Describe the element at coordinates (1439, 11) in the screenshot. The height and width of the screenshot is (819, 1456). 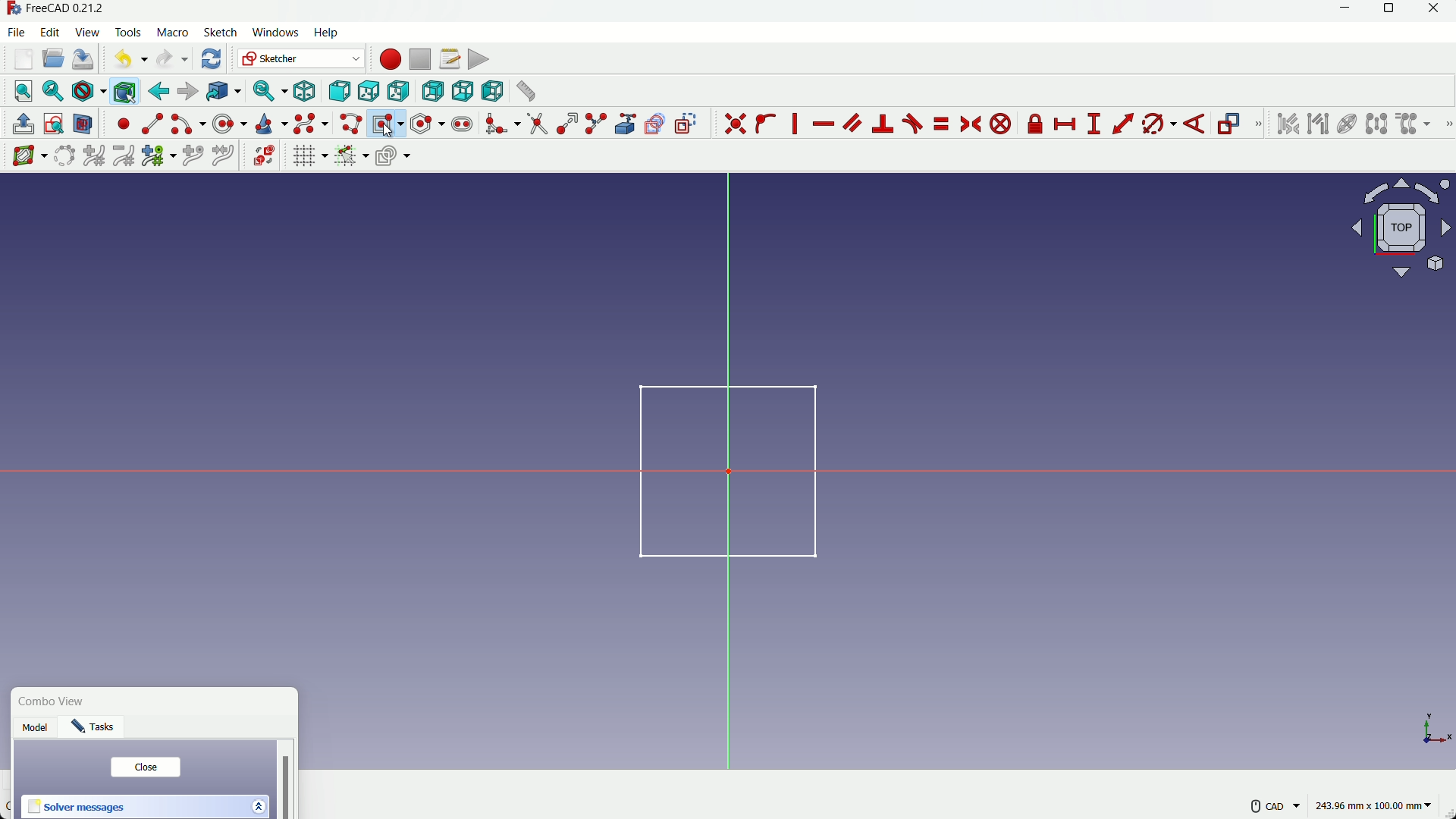
I see `close app` at that location.